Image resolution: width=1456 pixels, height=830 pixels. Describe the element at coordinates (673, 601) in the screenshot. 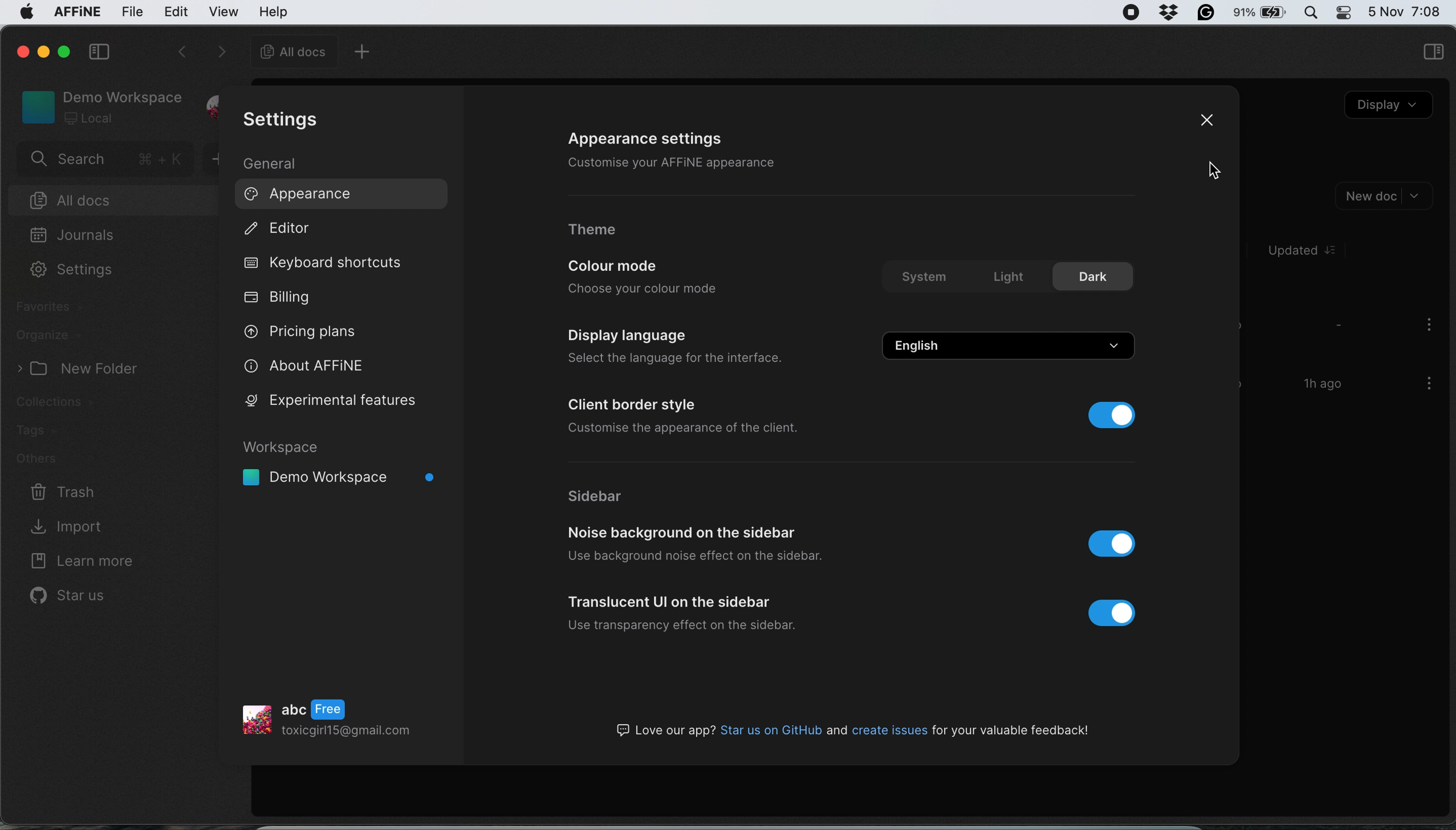

I see `translucent ui on the sidebar` at that location.